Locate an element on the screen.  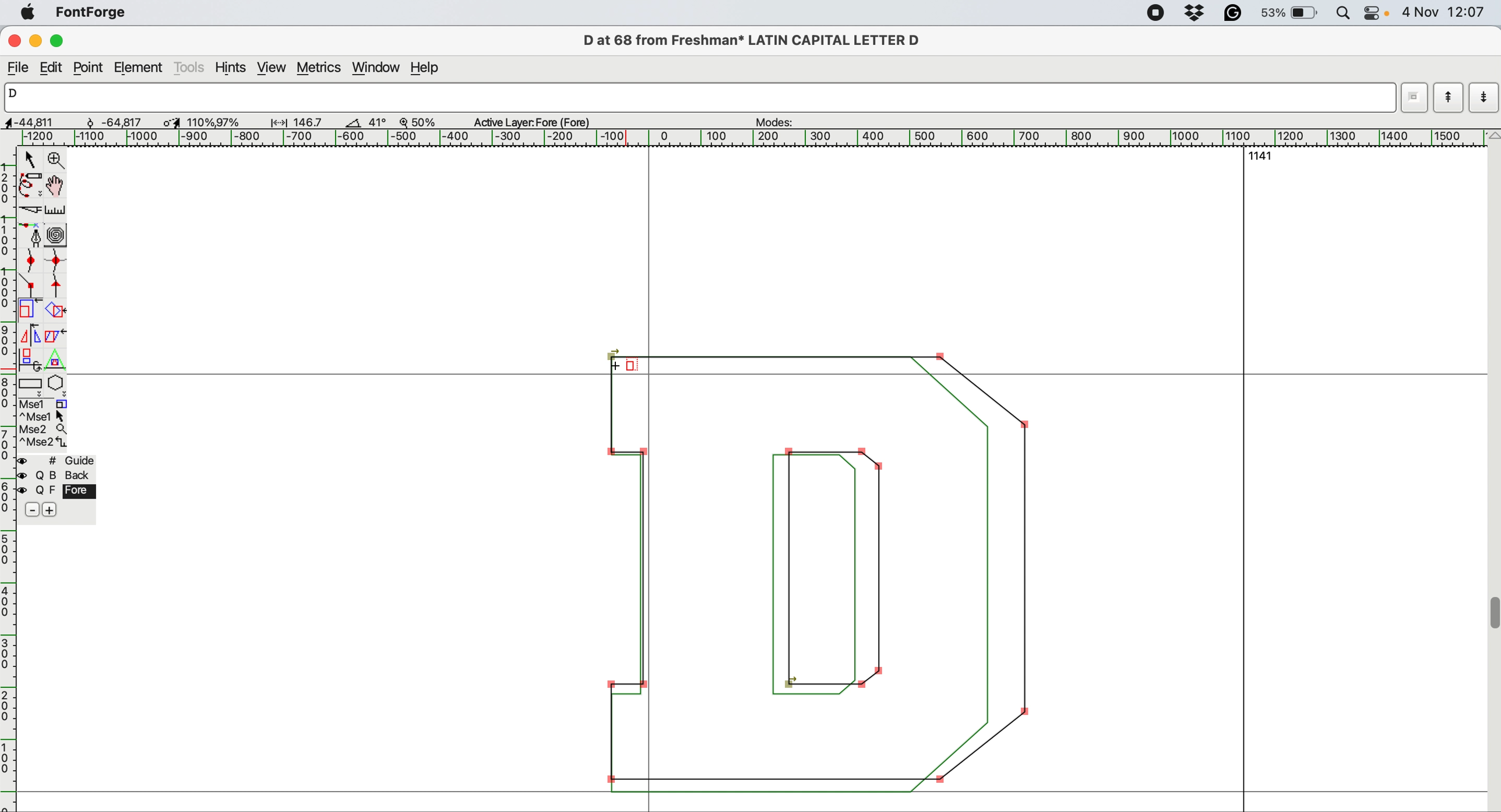
1141 is located at coordinates (1266, 156).